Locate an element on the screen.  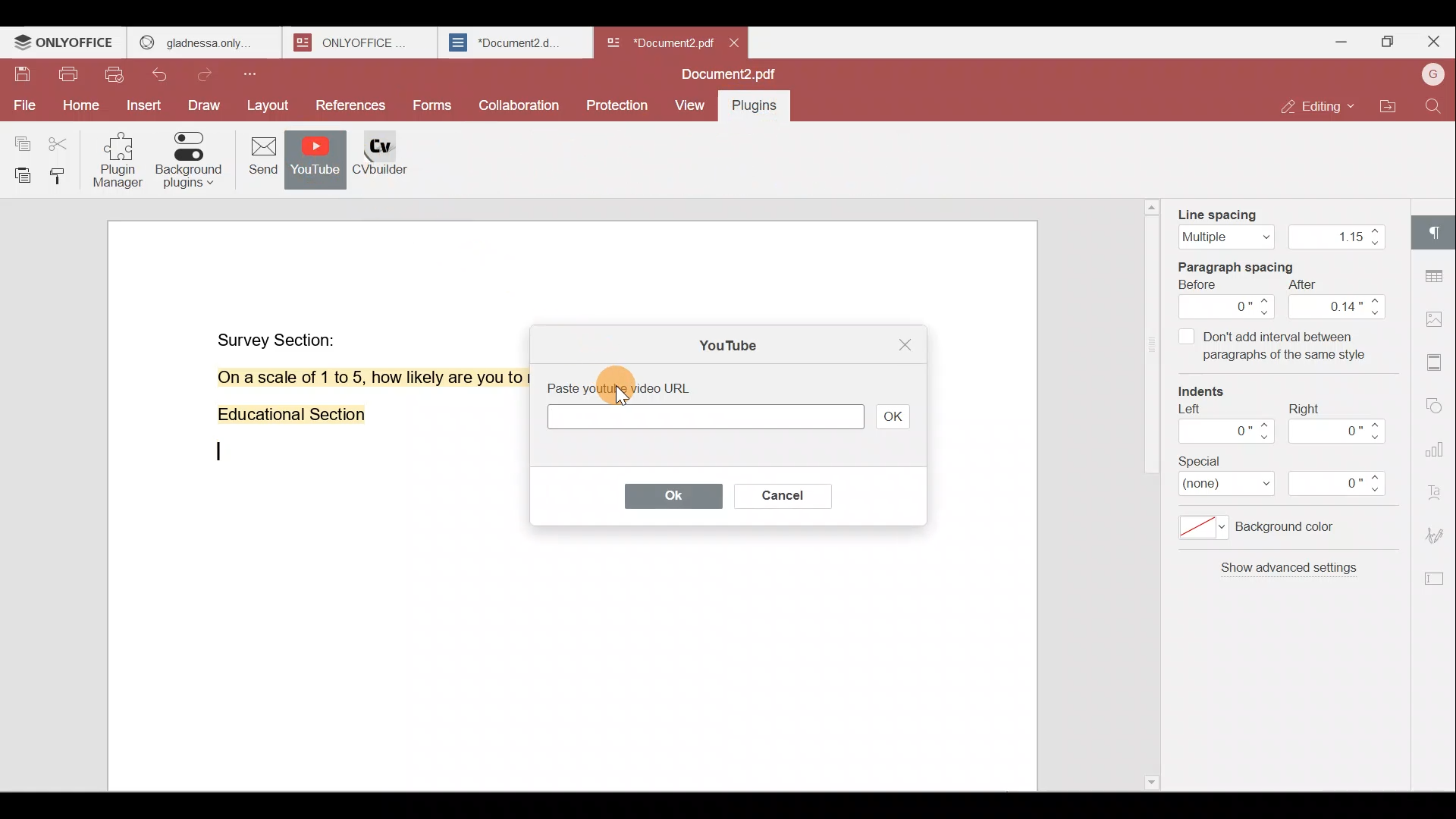
Image settings is located at coordinates (1439, 322).